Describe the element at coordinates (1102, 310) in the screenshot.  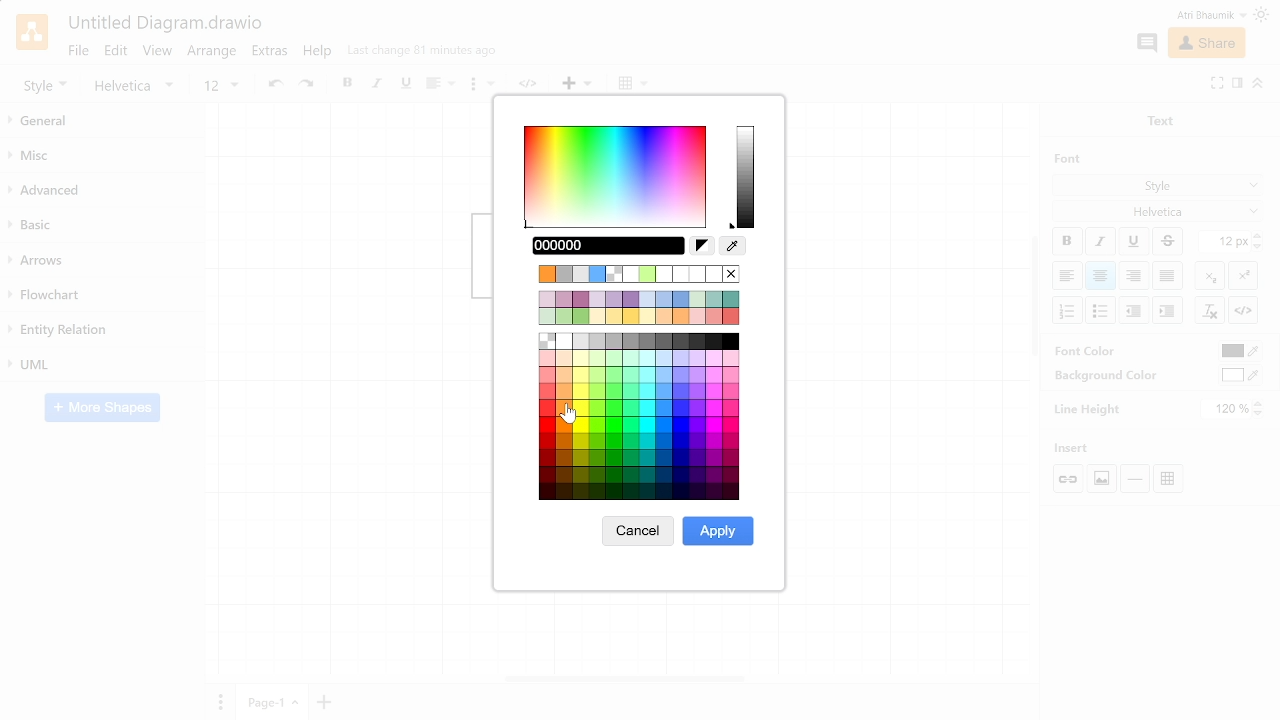
I see `Bullet` at that location.